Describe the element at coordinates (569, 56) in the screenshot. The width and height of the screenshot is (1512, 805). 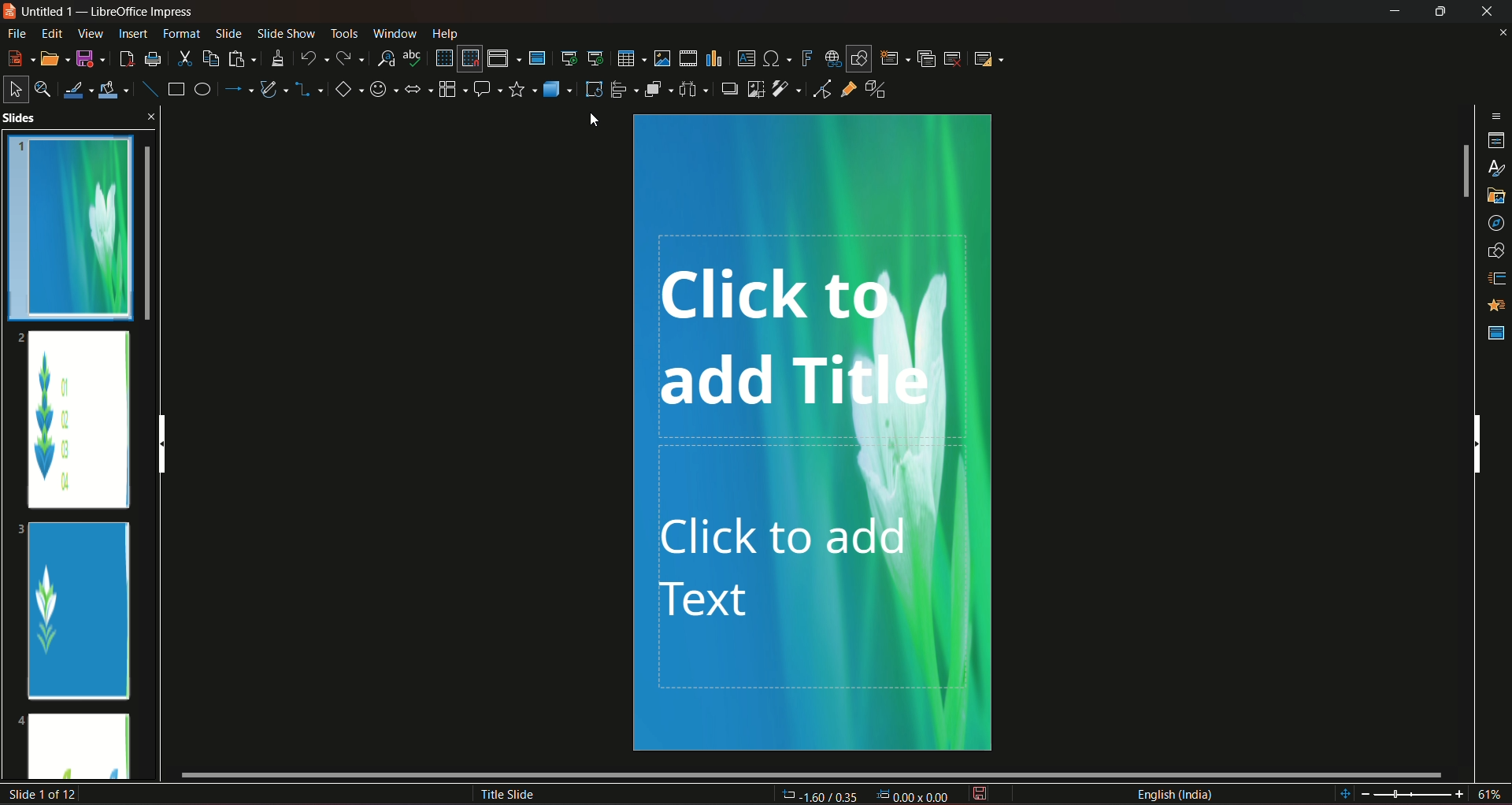
I see `start from the first slide` at that location.